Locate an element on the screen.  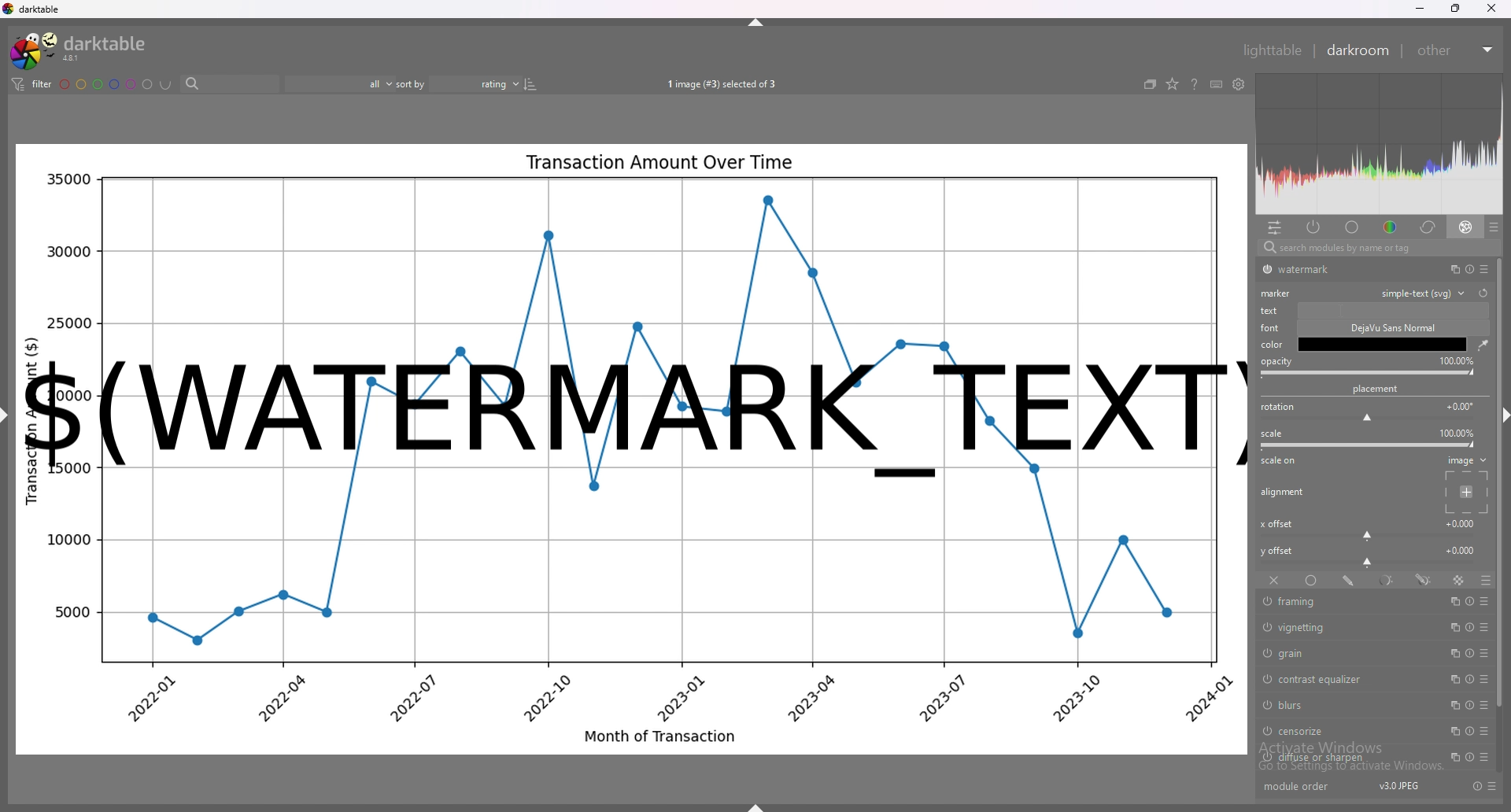
contrast equalizer is located at coordinates (1343, 679).